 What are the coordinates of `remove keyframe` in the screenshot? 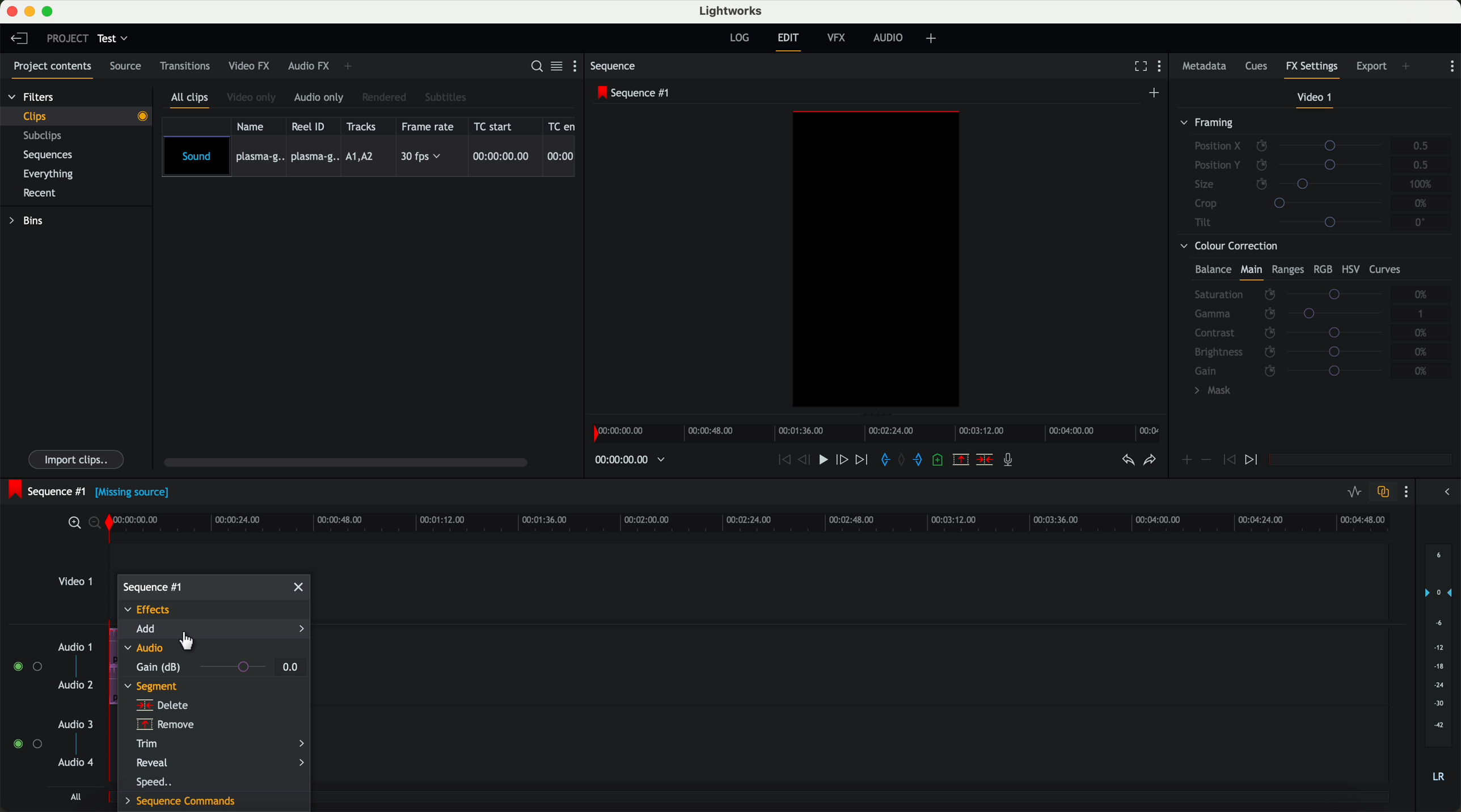 It's located at (1207, 460).